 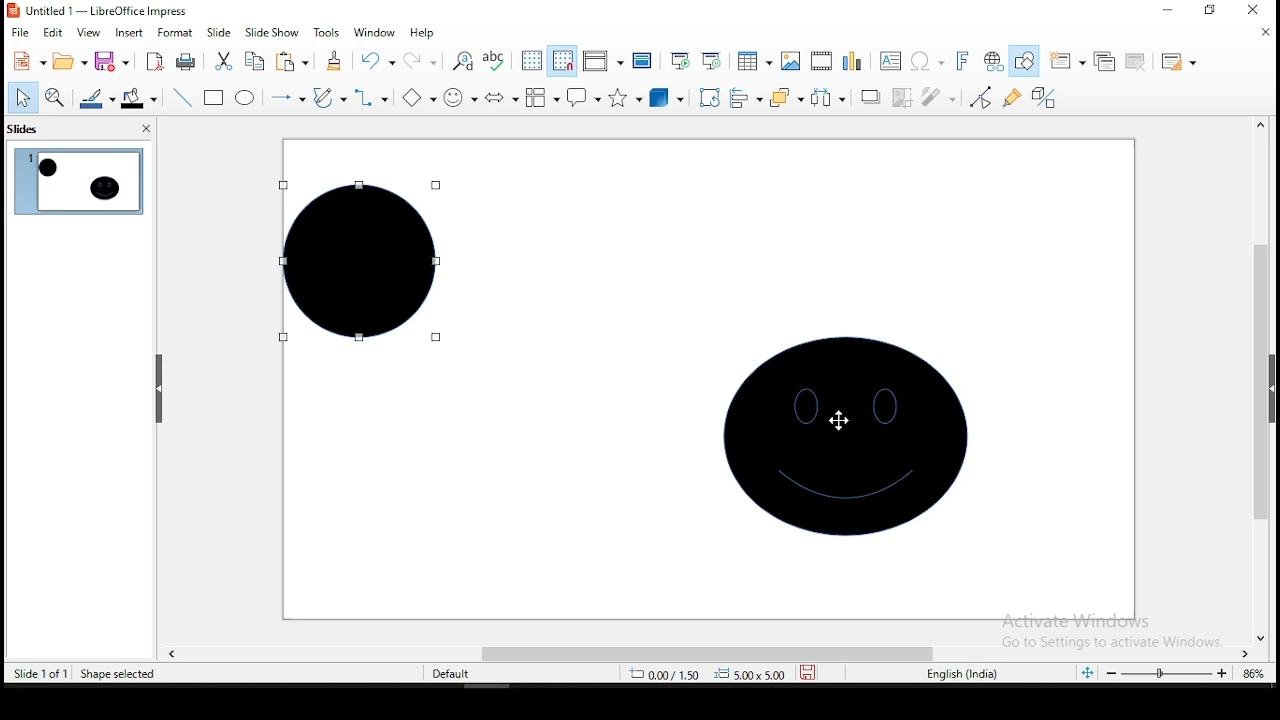 I want to click on rotate, so click(x=710, y=97).